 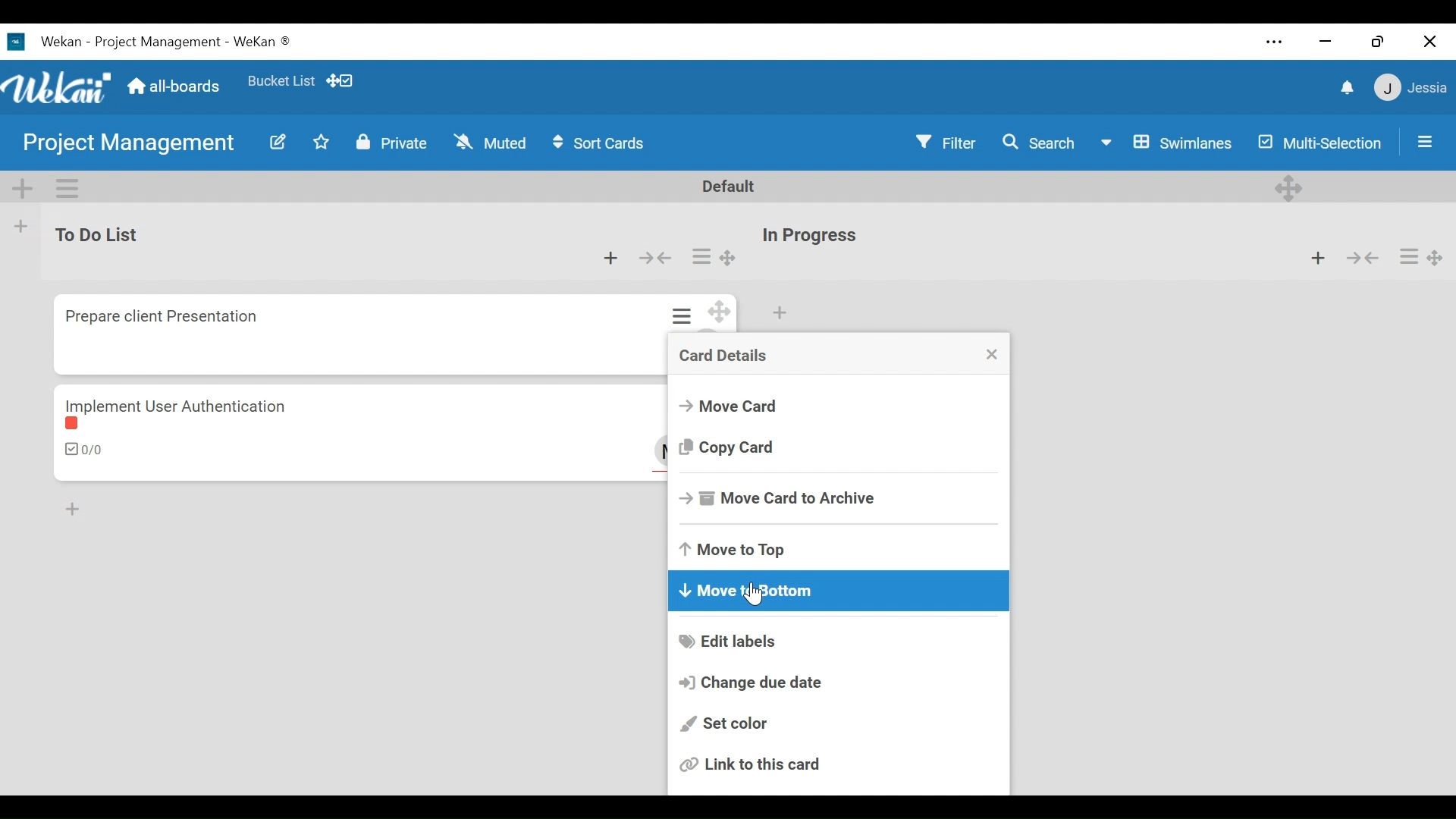 I want to click on Show desktop drag handles, so click(x=344, y=80).